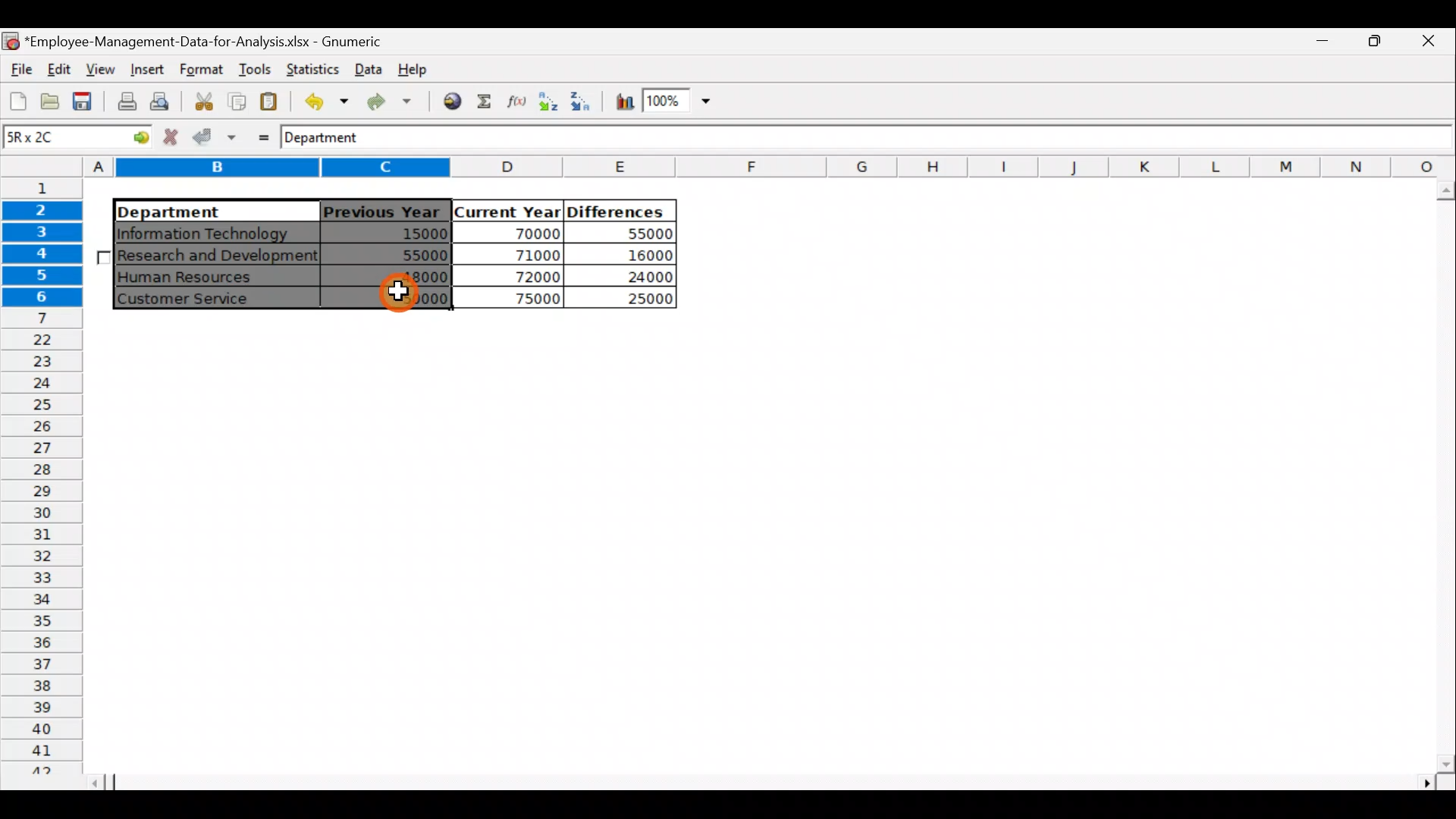 Image resolution: width=1456 pixels, height=819 pixels. I want to click on Cancel change, so click(172, 138).